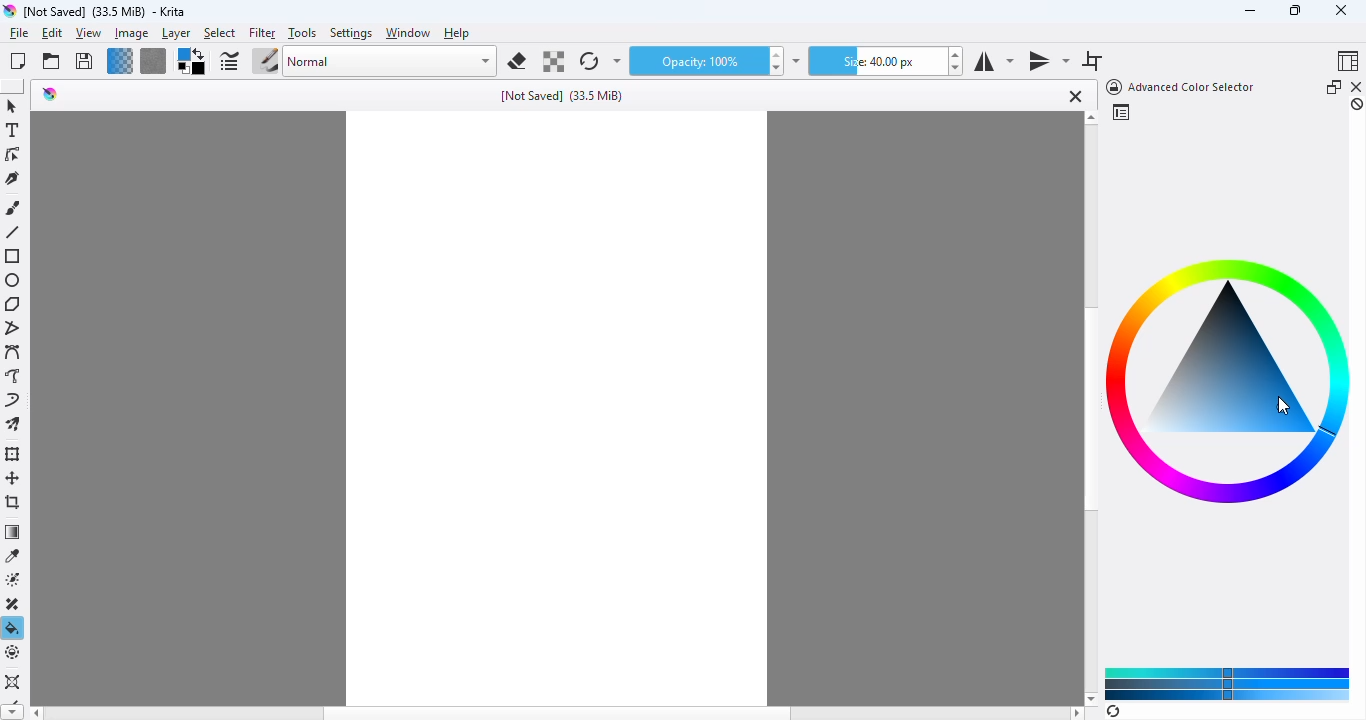  What do you see at coordinates (120, 61) in the screenshot?
I see `fill gradients` at bounding box center [120, 61].